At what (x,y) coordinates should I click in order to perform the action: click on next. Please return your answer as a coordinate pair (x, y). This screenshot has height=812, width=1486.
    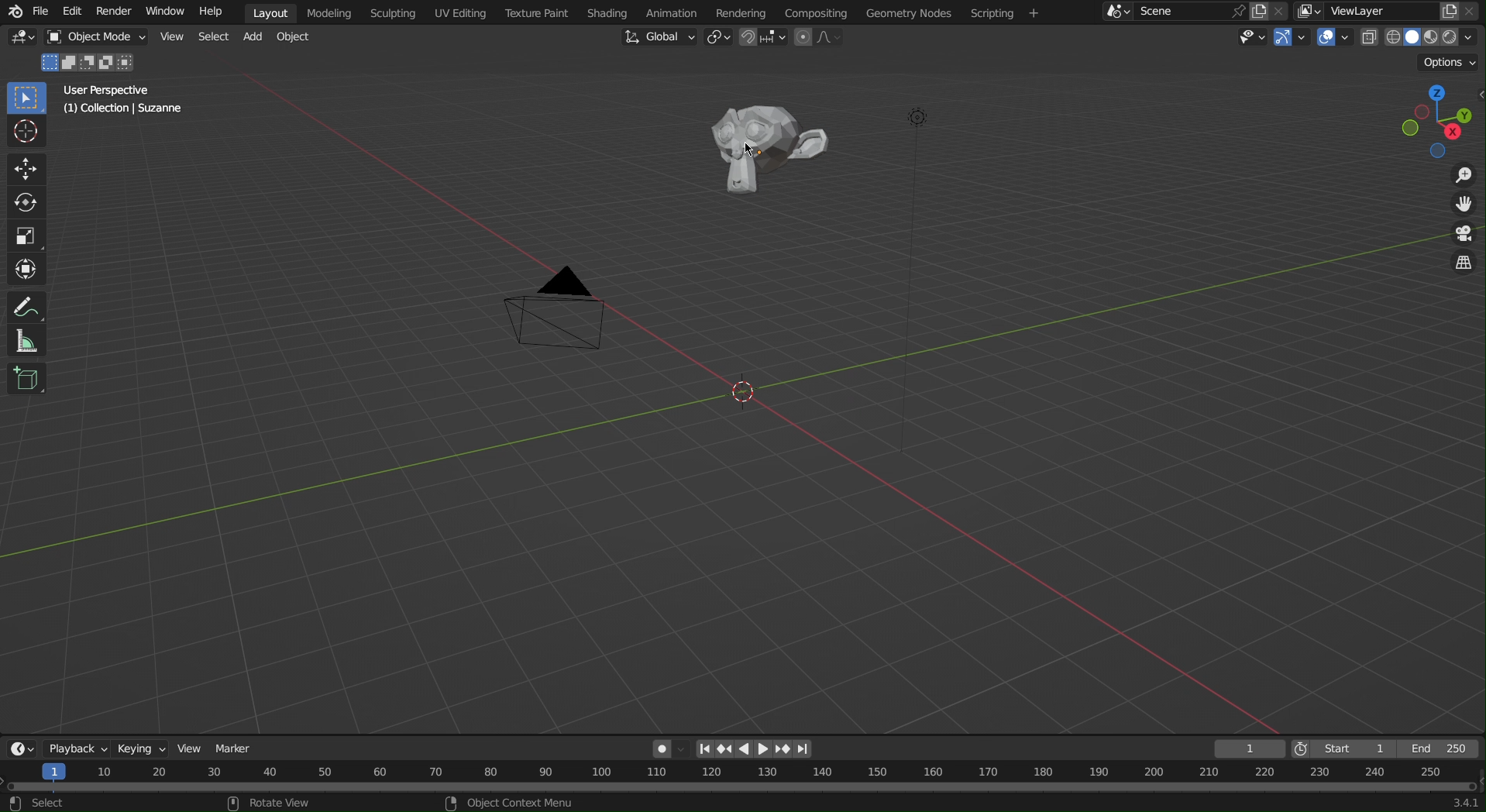
    Looking at the image, I should click on (786, 749).